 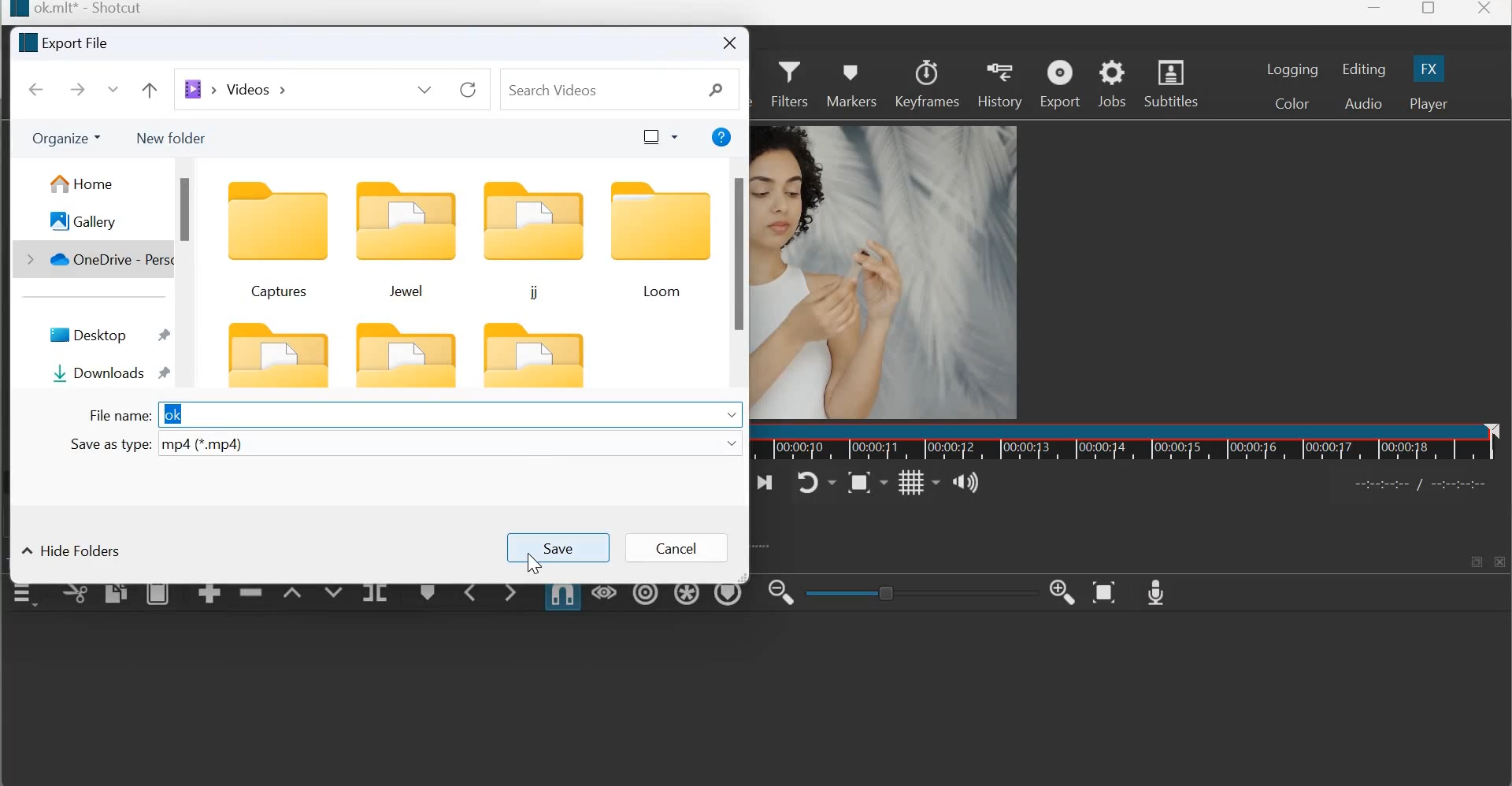 What do you see at coordinates (658, 137) in the screenshot?
I see `change your view` at bounding box center [658, 137].